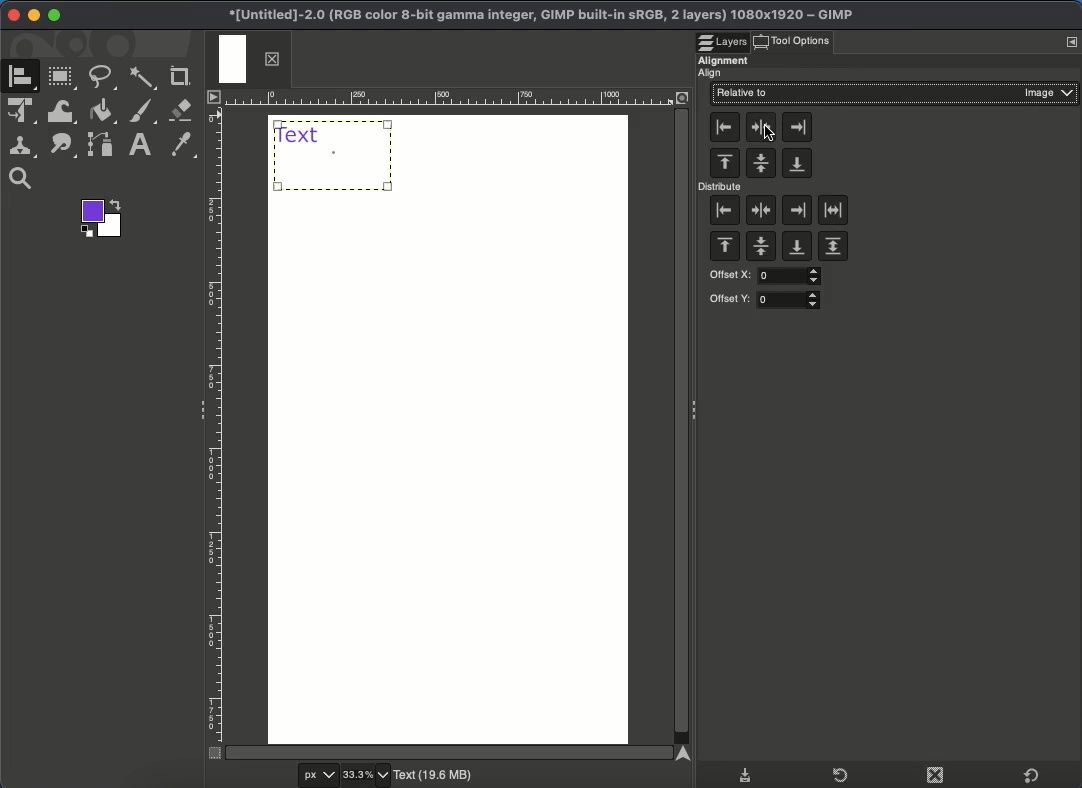  I want to click on Align to the top, so click(725, 164).